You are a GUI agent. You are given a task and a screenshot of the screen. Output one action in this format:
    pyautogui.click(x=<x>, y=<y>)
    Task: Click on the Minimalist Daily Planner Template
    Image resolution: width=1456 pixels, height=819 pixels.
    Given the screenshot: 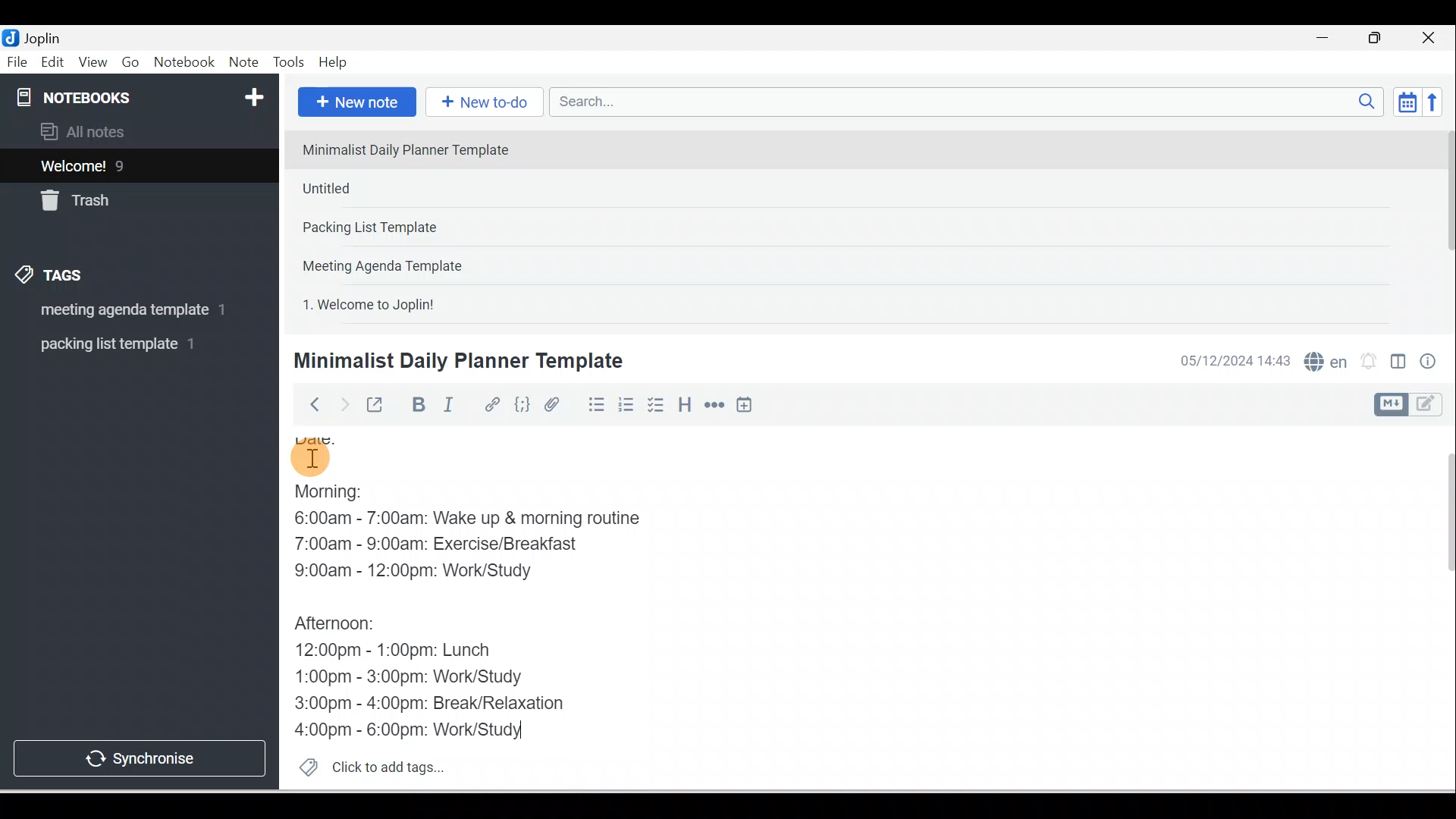 What is the action you would take?
    pyautogui.click(x=456, y=361)
    